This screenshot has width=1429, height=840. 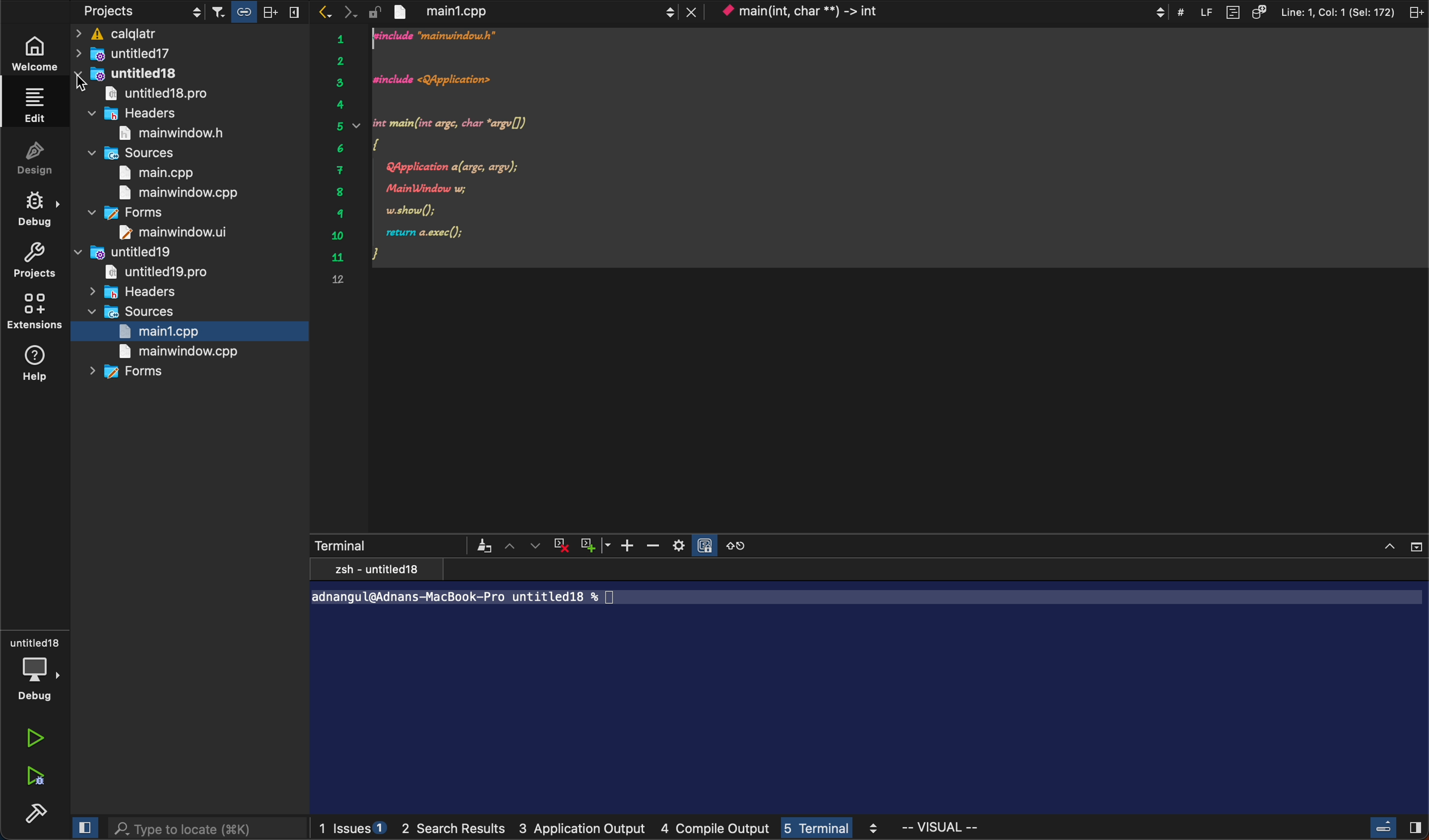 I want to click on sources, so click(x=130, y=155).